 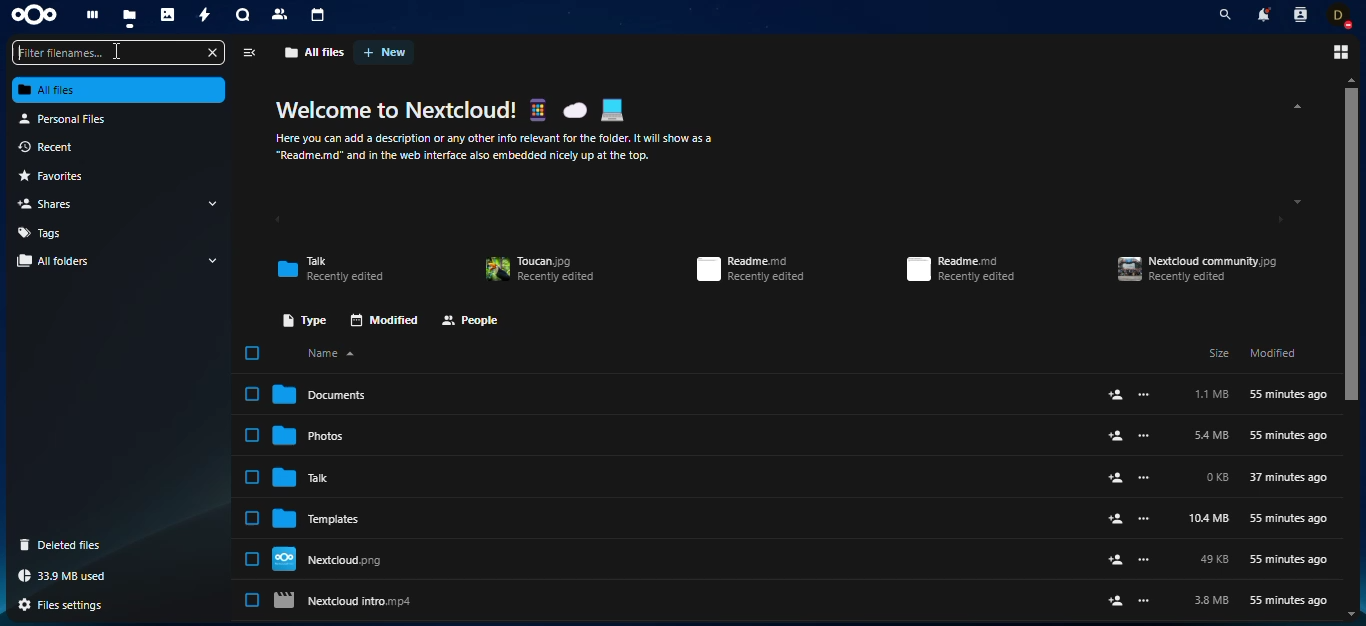 What do you see at coordinates (685, 434) in the screenshot?
I see `Photos` at bounding box center [685, 434].